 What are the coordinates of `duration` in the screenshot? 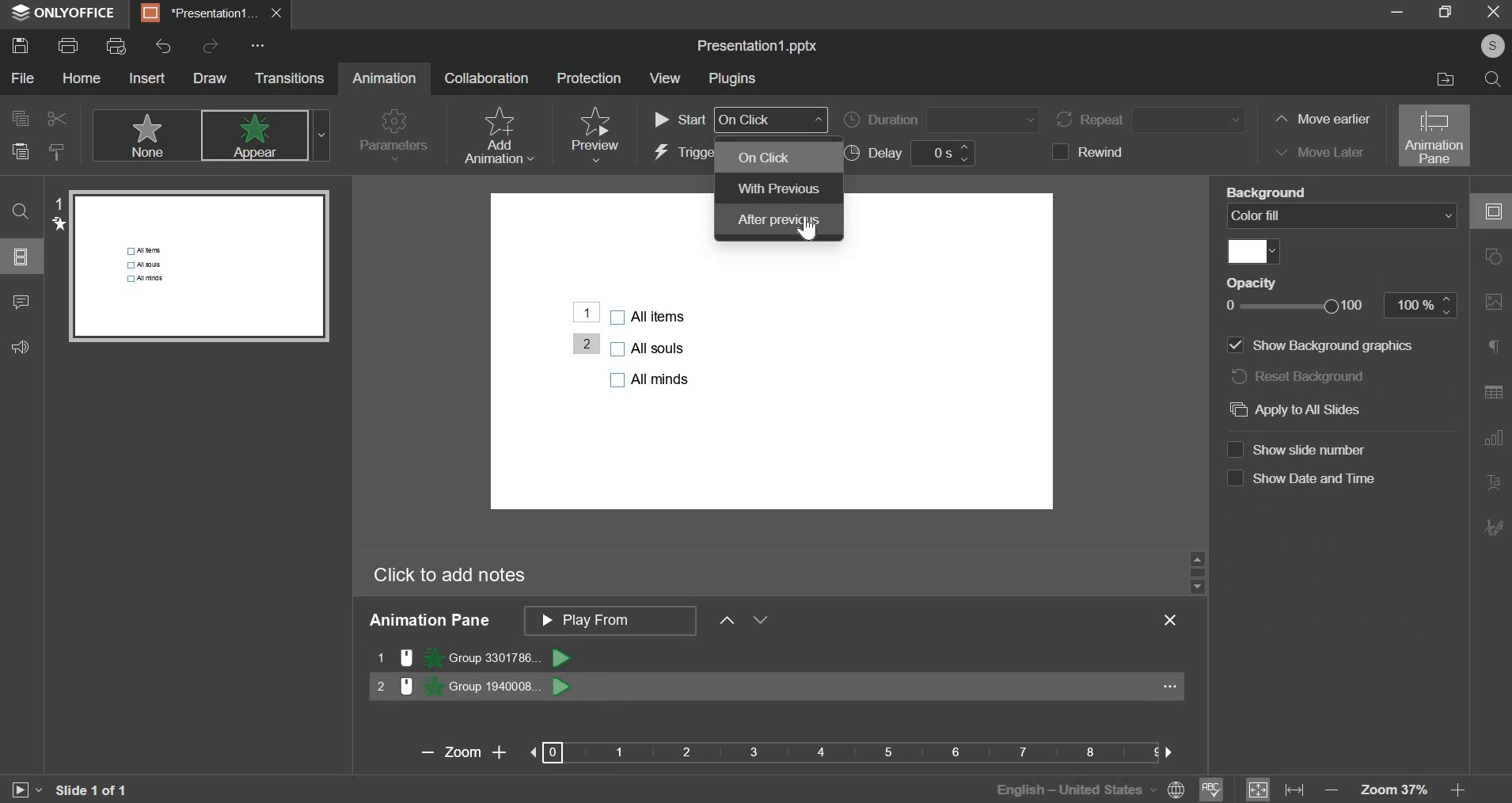 It's located at (940, 120).